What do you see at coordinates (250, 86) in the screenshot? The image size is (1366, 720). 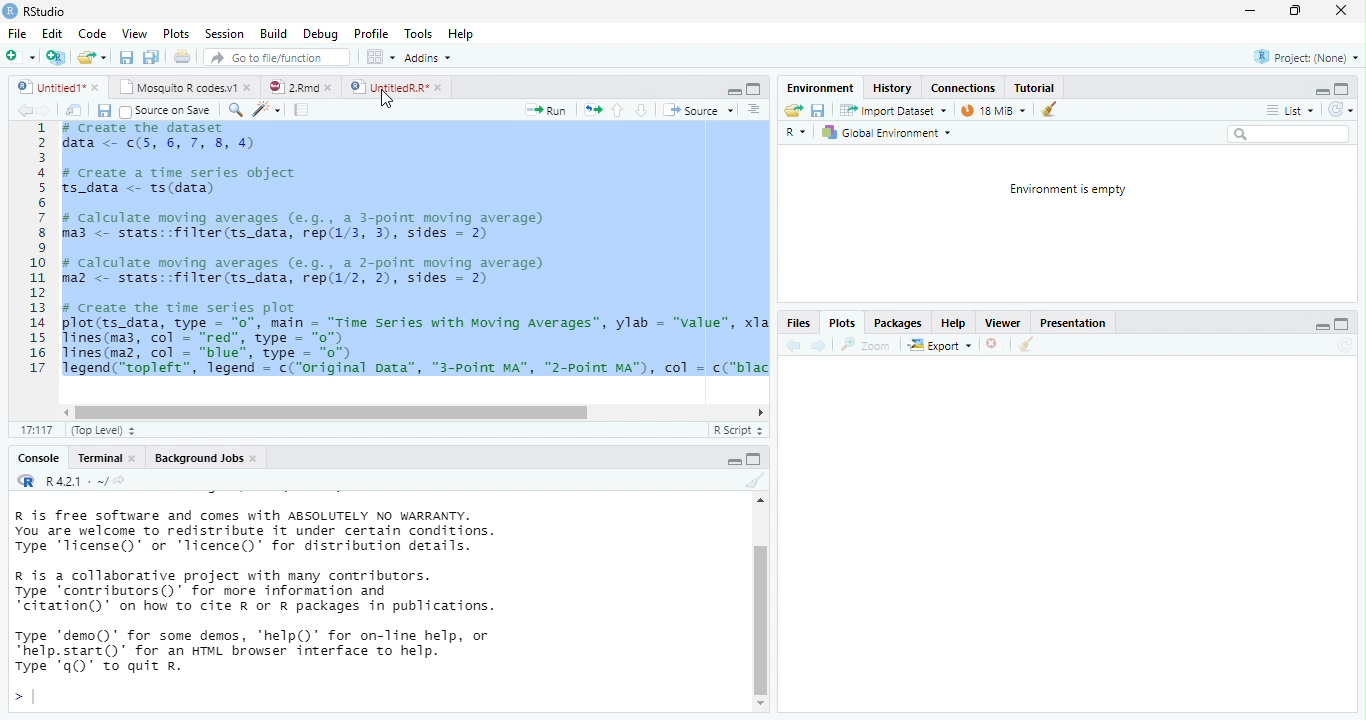 I see `close` at bounding box center [250, 86].